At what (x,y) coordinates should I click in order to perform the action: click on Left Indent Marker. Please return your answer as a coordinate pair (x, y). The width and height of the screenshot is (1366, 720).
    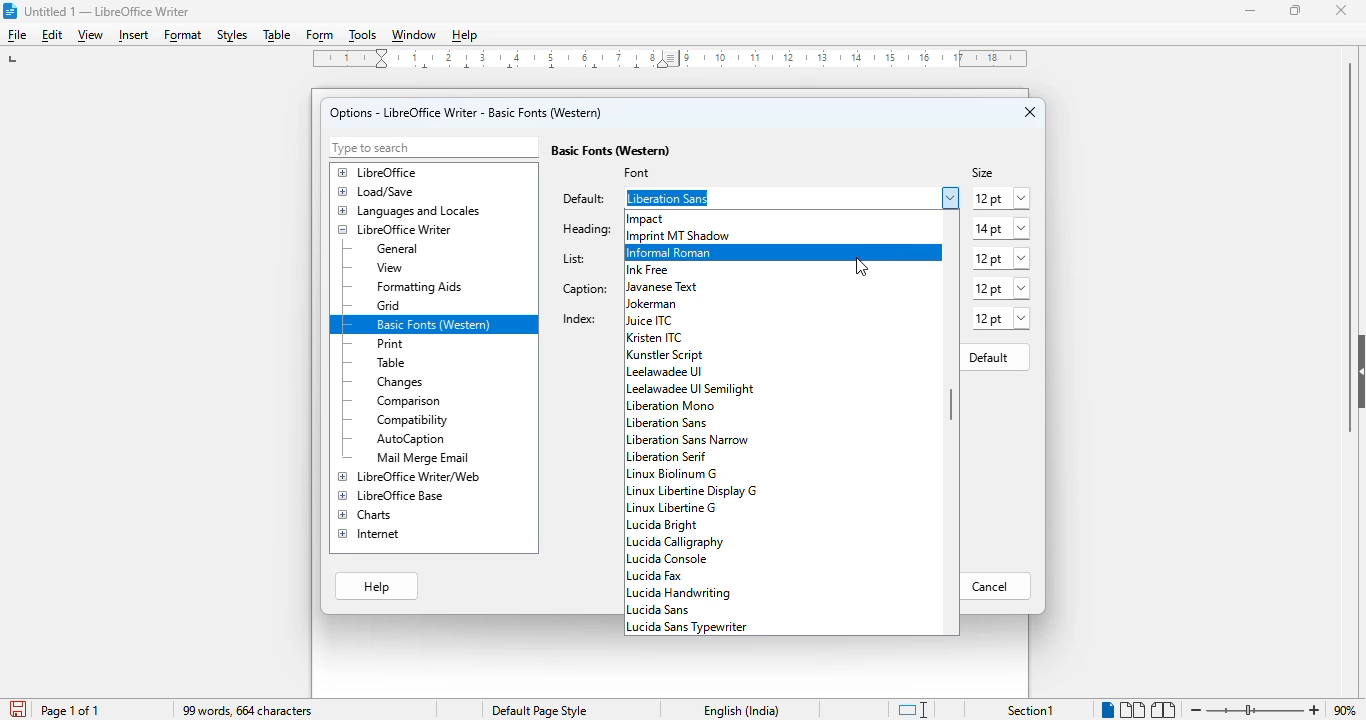
    Looking at the image, I should click on (674, 59).